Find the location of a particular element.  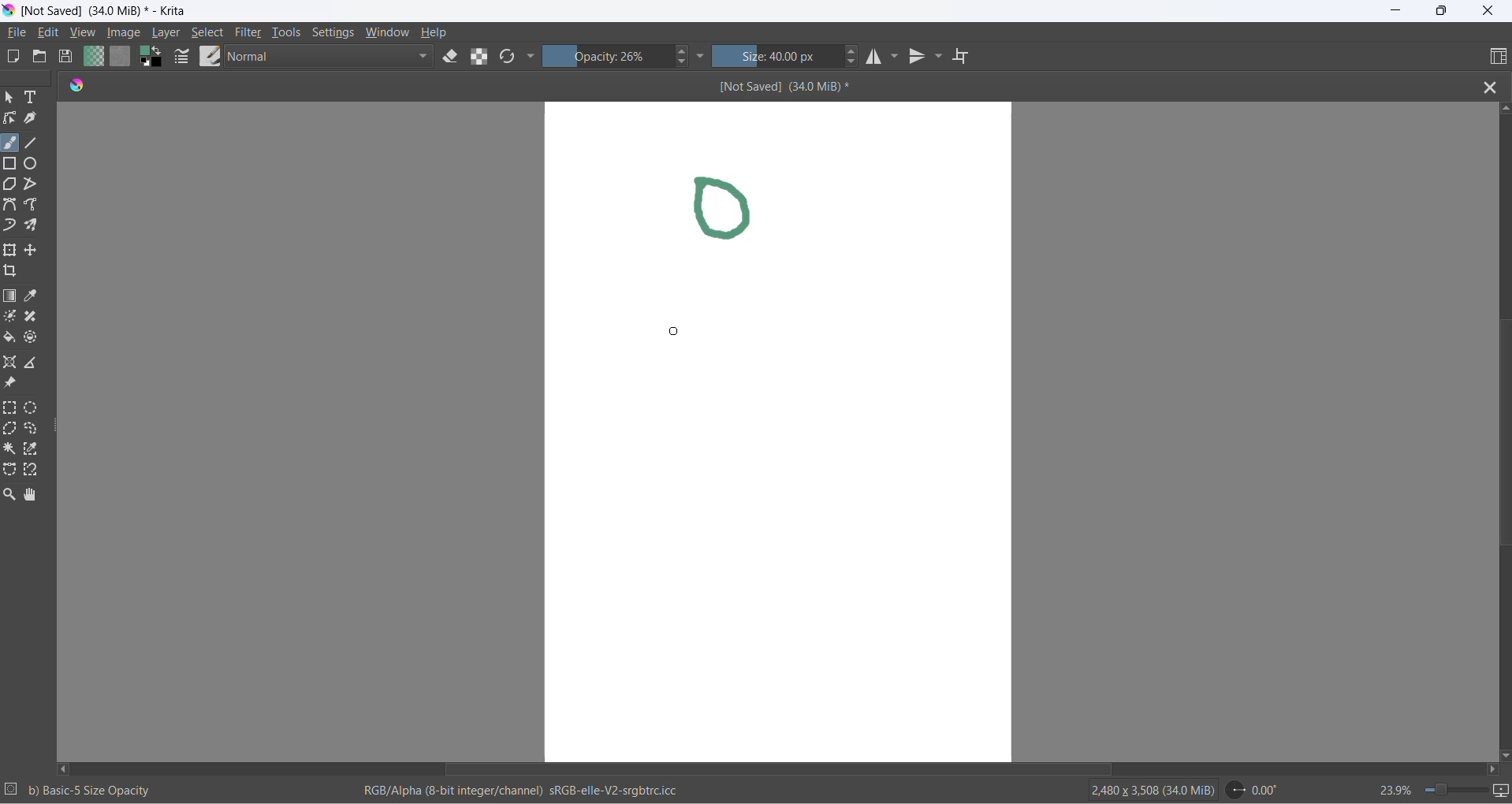

vertical mirror tools settings dropdown button is located at coordinates (940, 58).